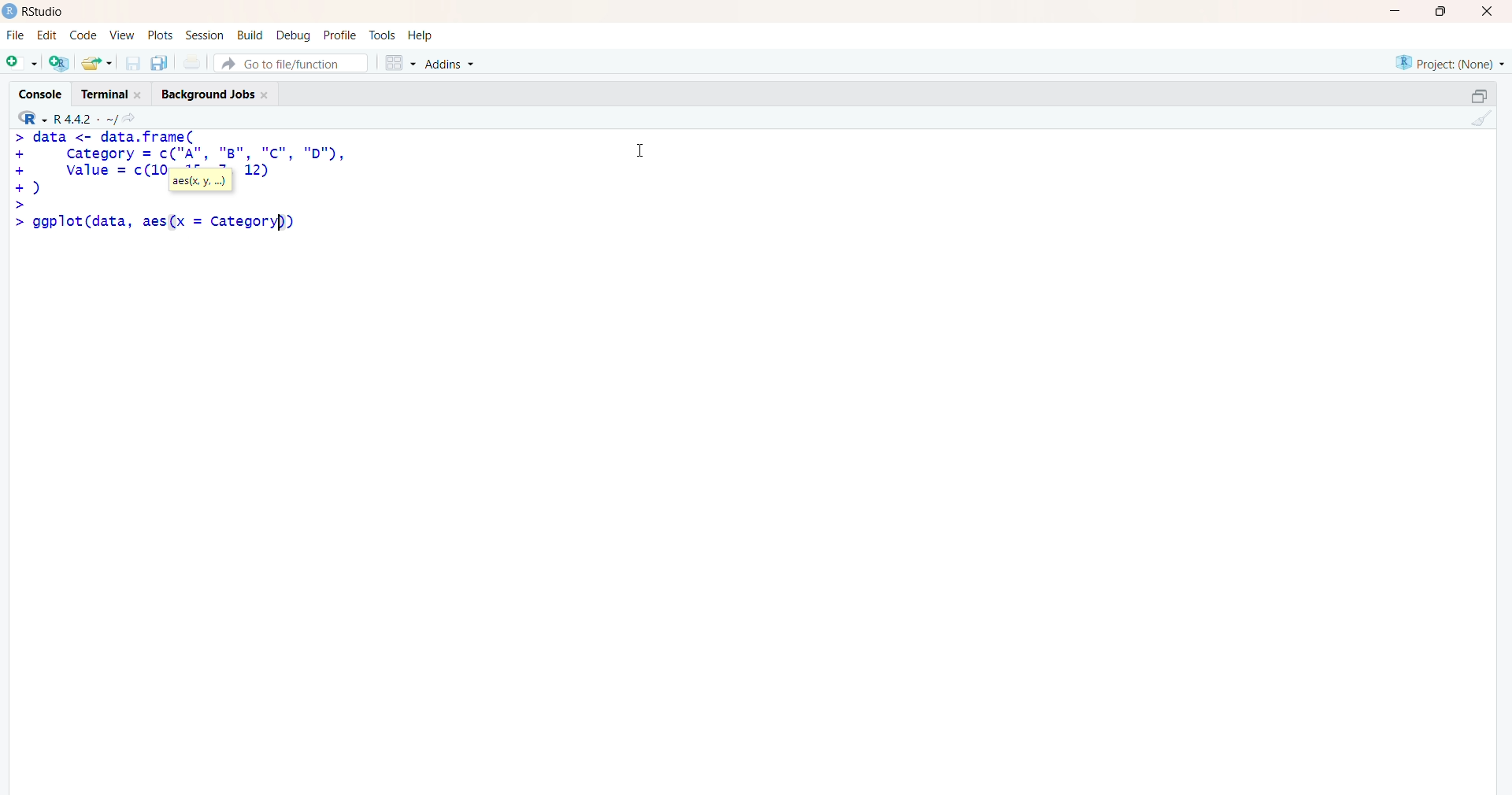 This screenshot has height=795, width=1512. What do you see at coordinates (291, 63) in the screenshot?
I see `# Go to file/function` at bounding box center [291, 63].